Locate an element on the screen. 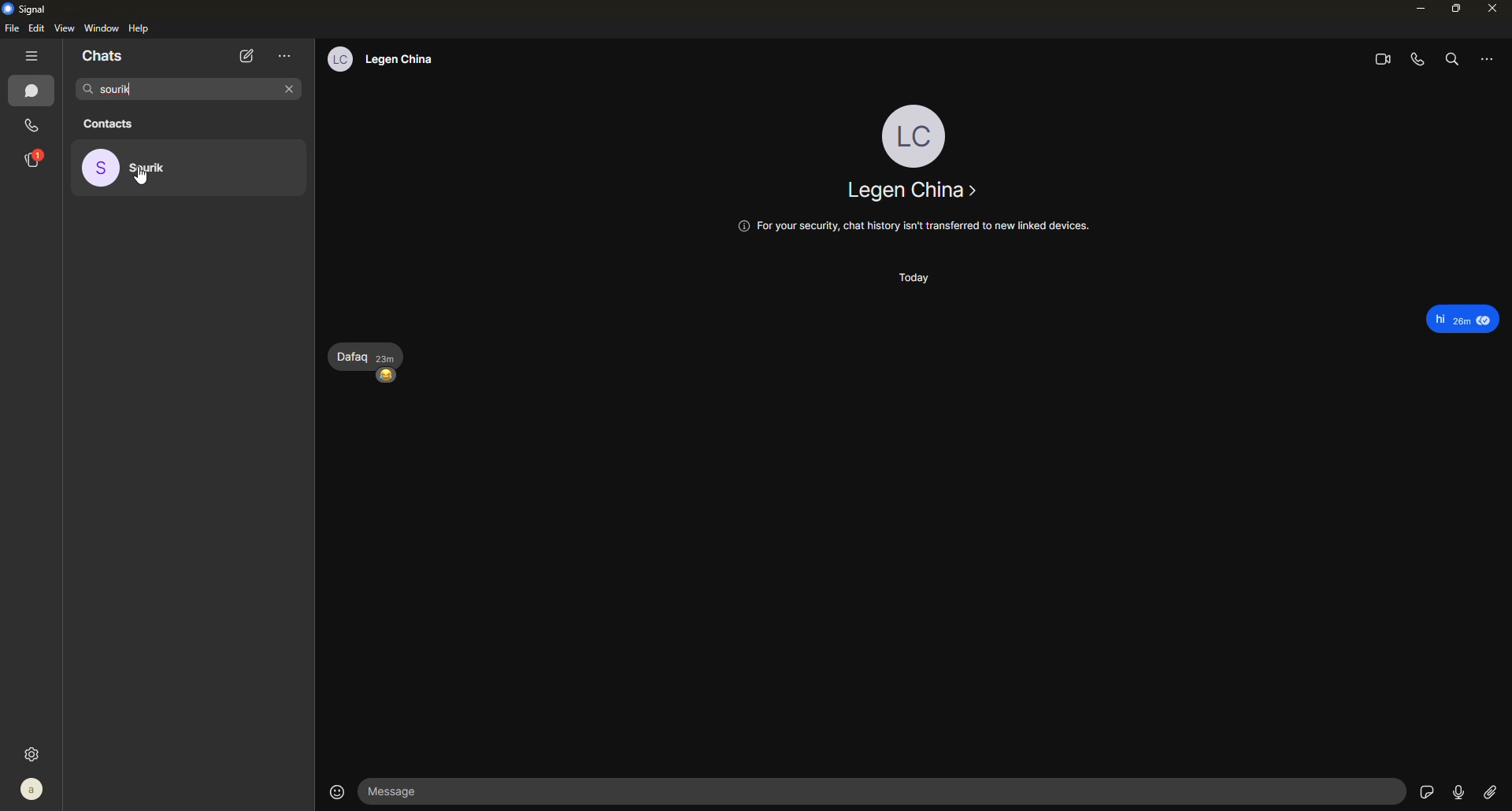 This screenshot has width=1512, height=811. close is located at coordinates (1498, 10).